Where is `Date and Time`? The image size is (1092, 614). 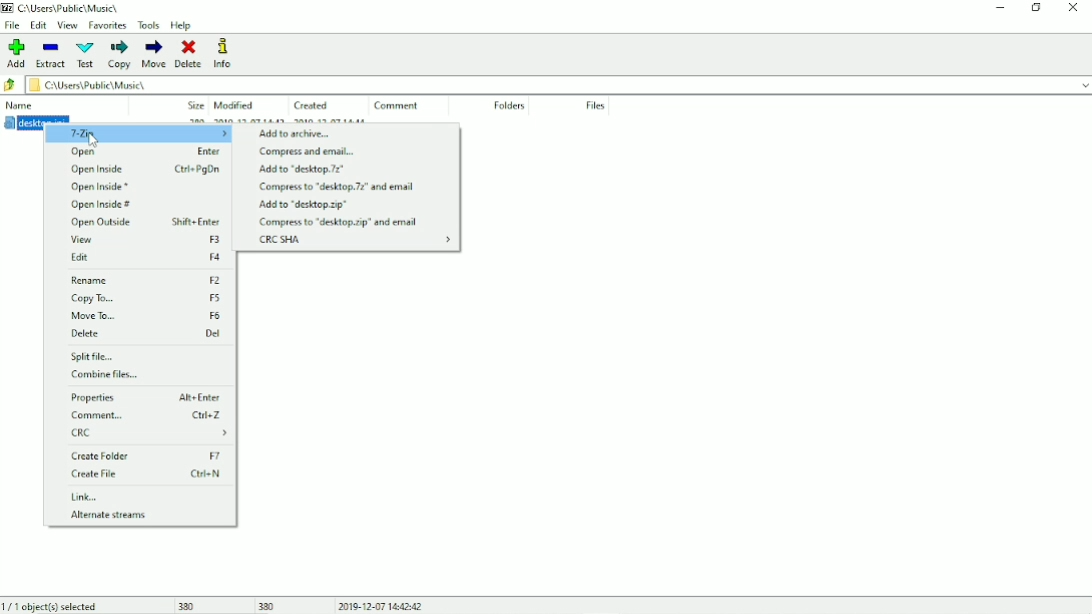 Date and Time is located at coordinates (384, 605).